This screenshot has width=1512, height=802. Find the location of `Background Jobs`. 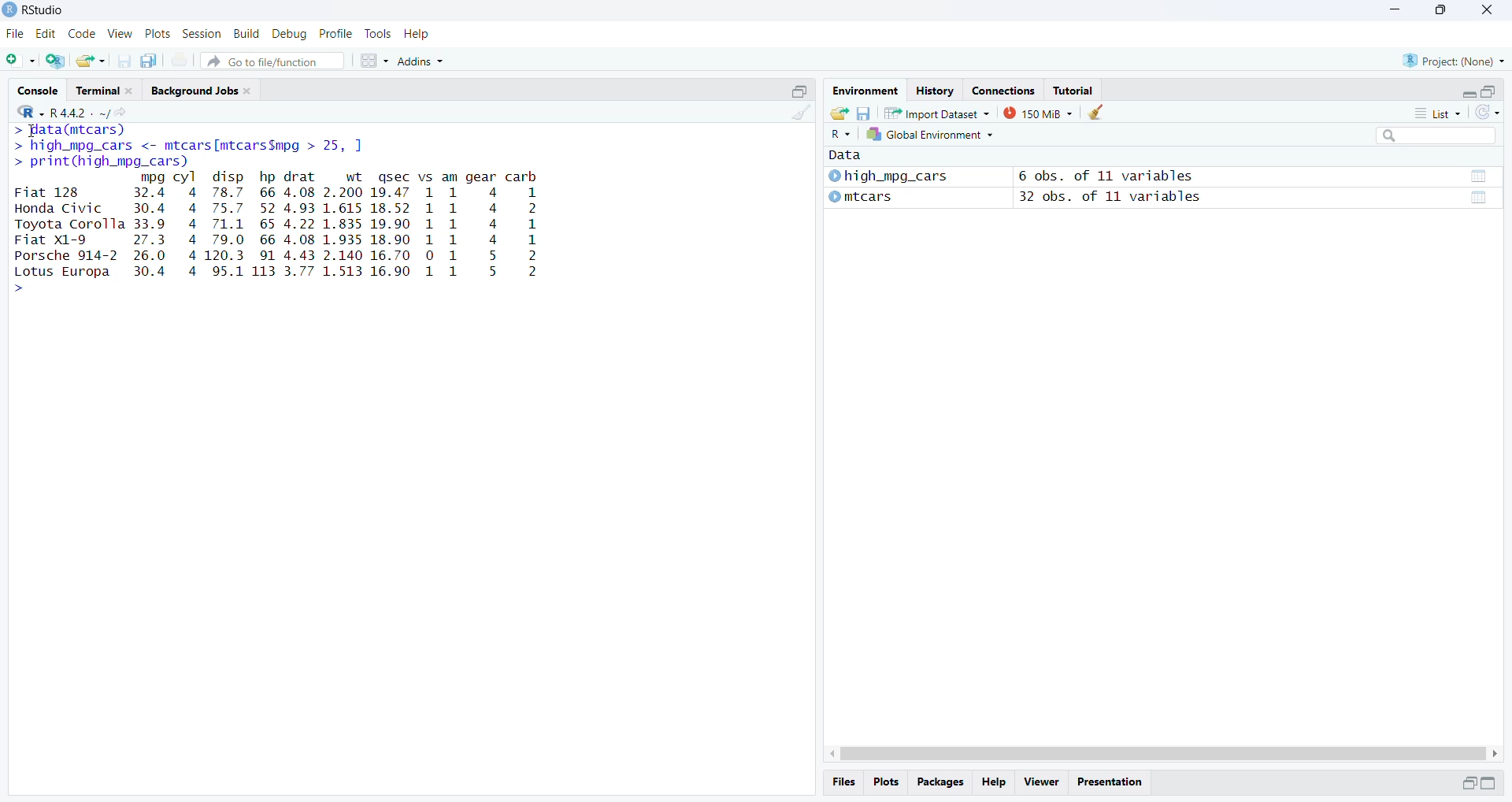

Background Jobs is located at coordinates (206, 90).